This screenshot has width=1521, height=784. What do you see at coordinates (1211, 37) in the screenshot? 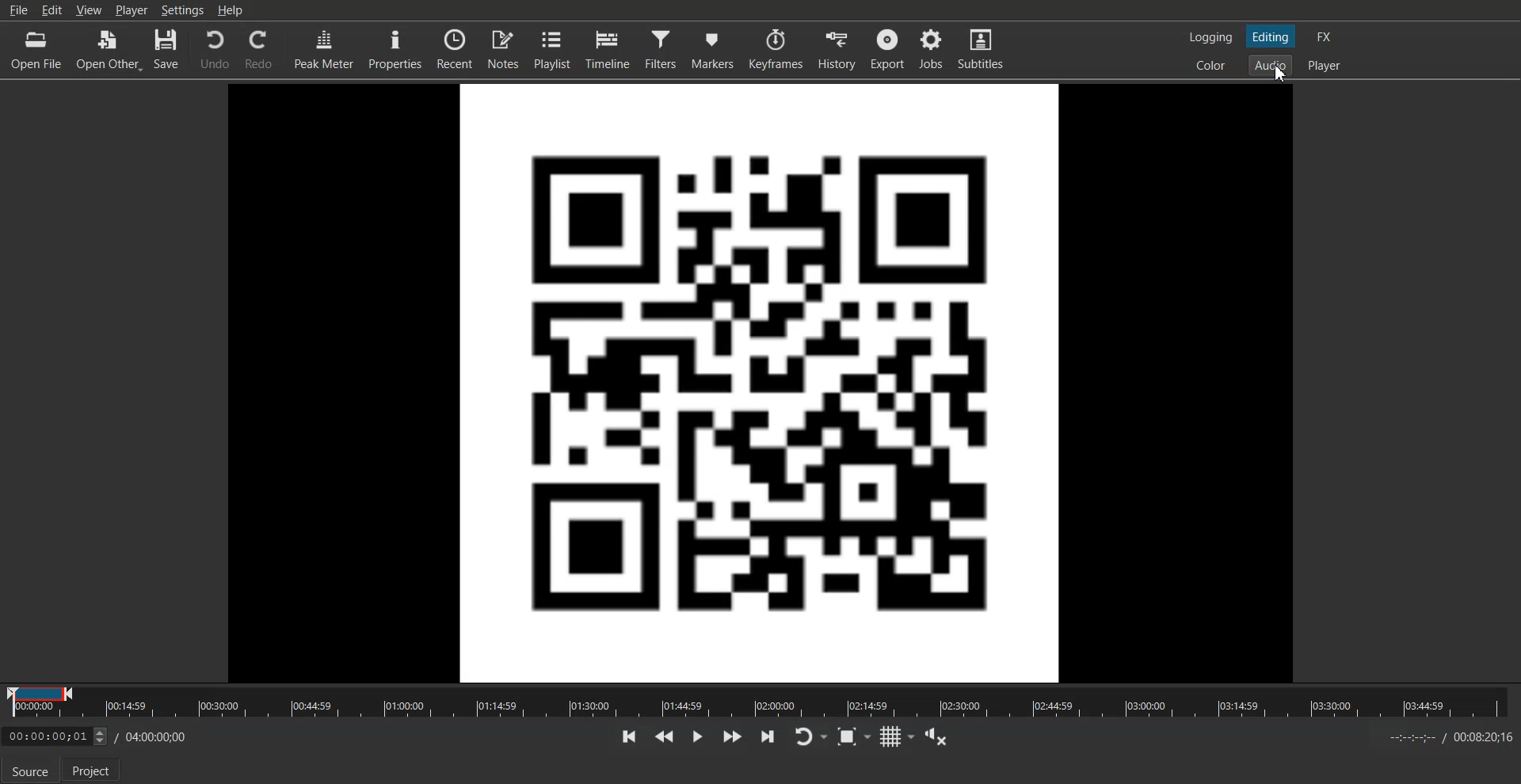
I see `Switch to the Logging layout` at bounding box center [1211, 37].